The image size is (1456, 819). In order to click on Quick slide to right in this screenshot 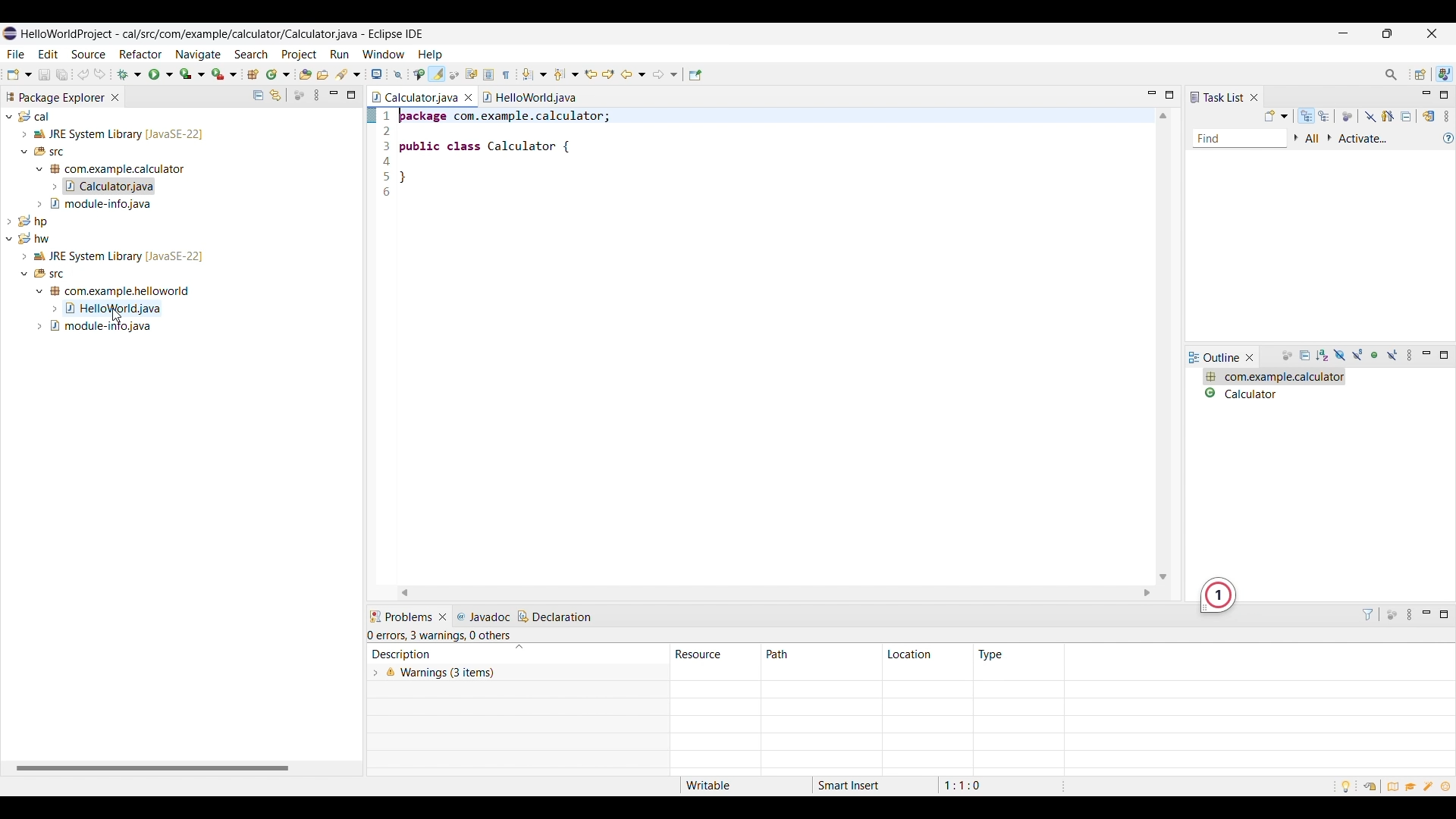, I will do `click(1147, 593)`.